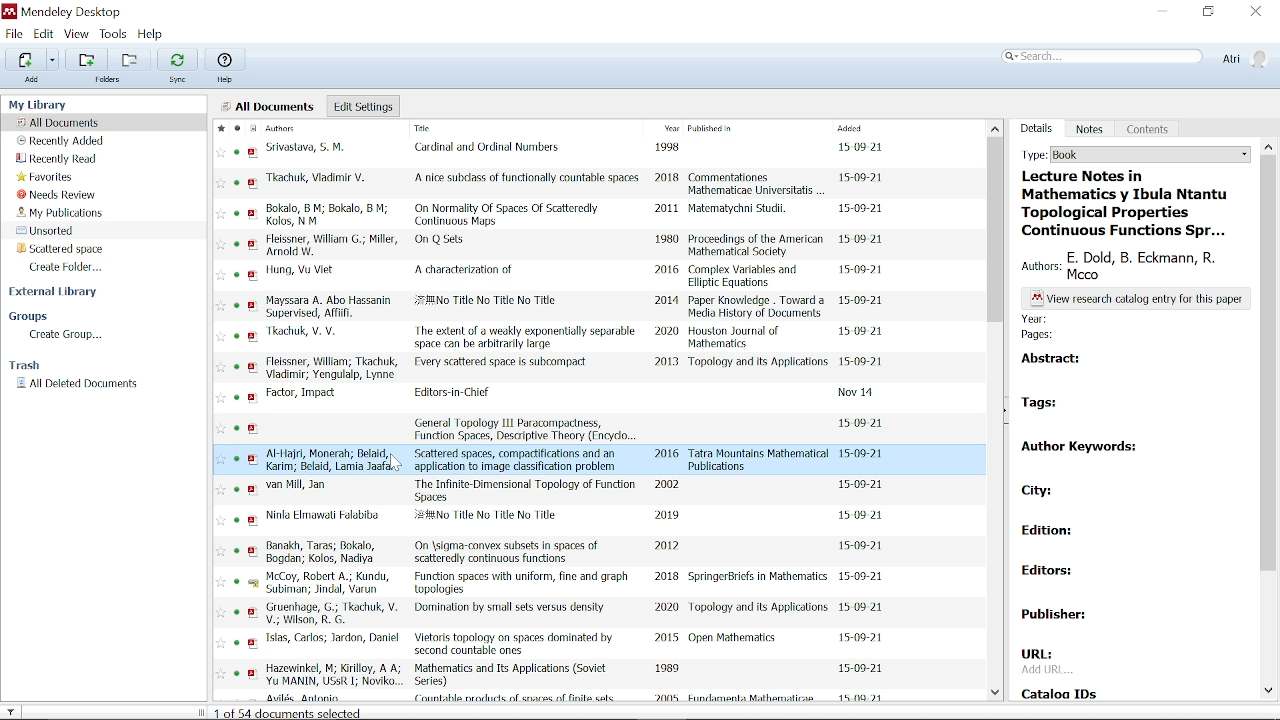  Describe the element at coordinates (861, 517) in the screenshot. I see `date` at that location.